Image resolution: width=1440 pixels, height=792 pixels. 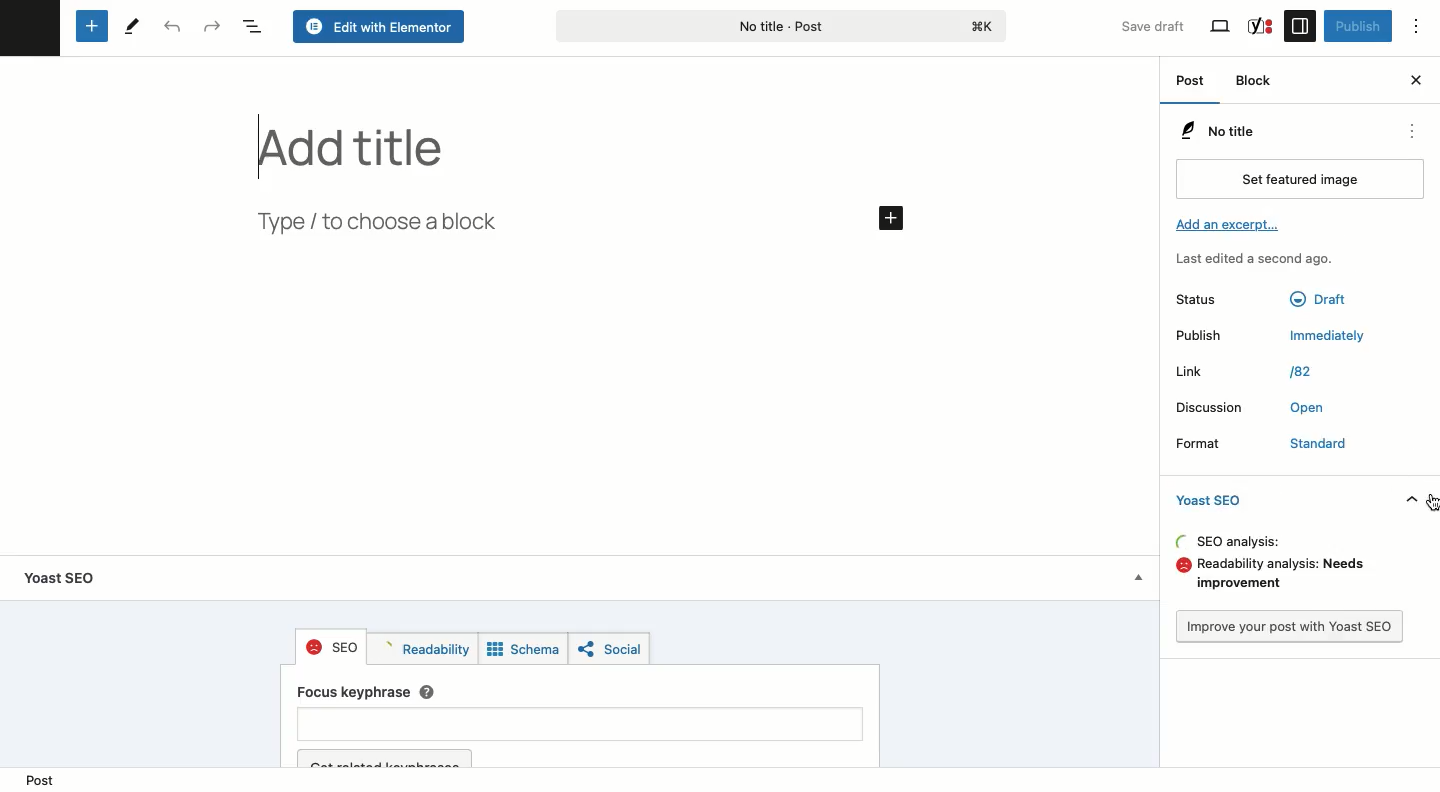 I want to click on (SEO analysis: Readability analysis: Needsimprovement, so click(x=1262, y=565).